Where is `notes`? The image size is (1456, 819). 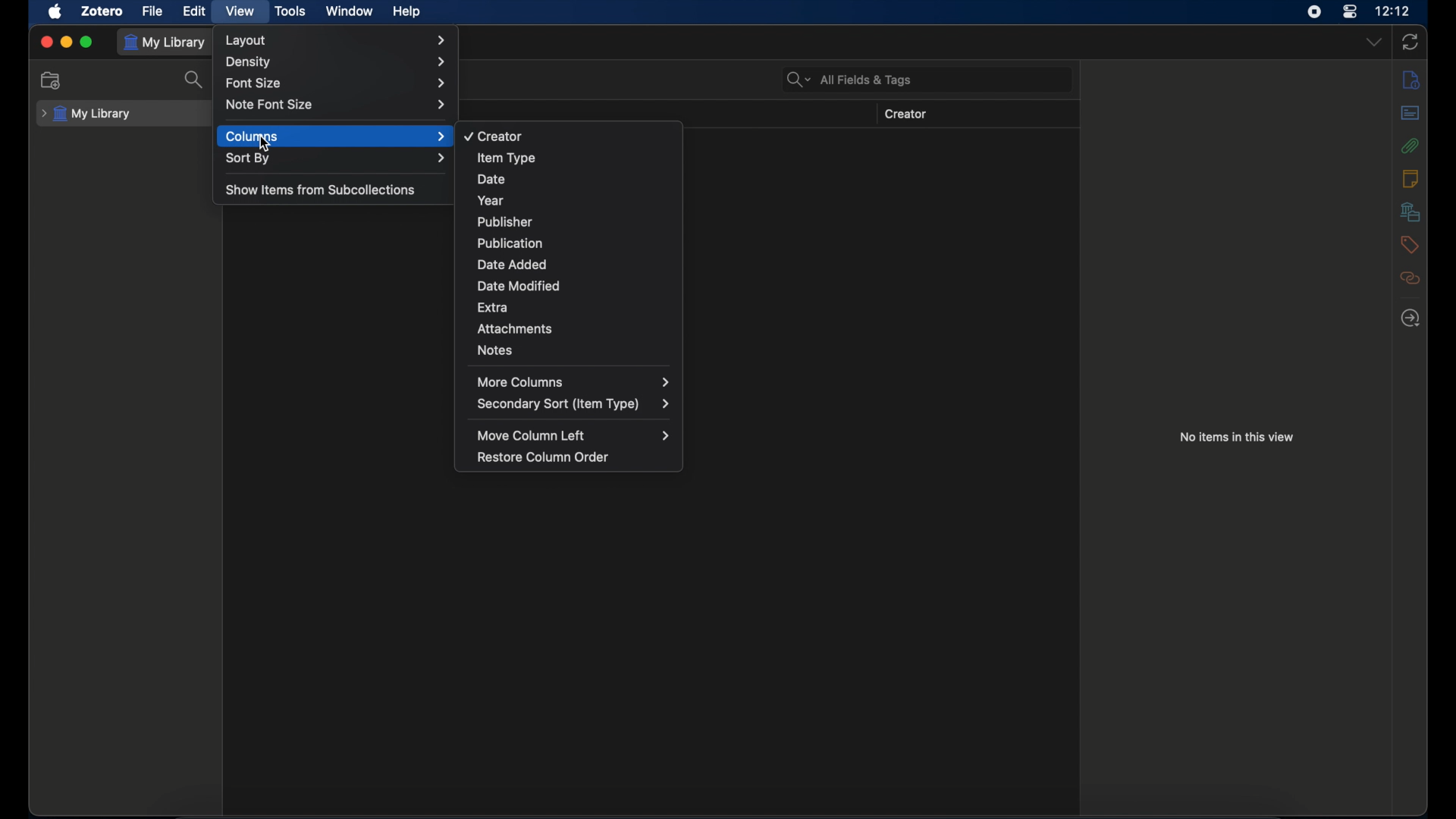 notes is located at coordinates (494, 350).